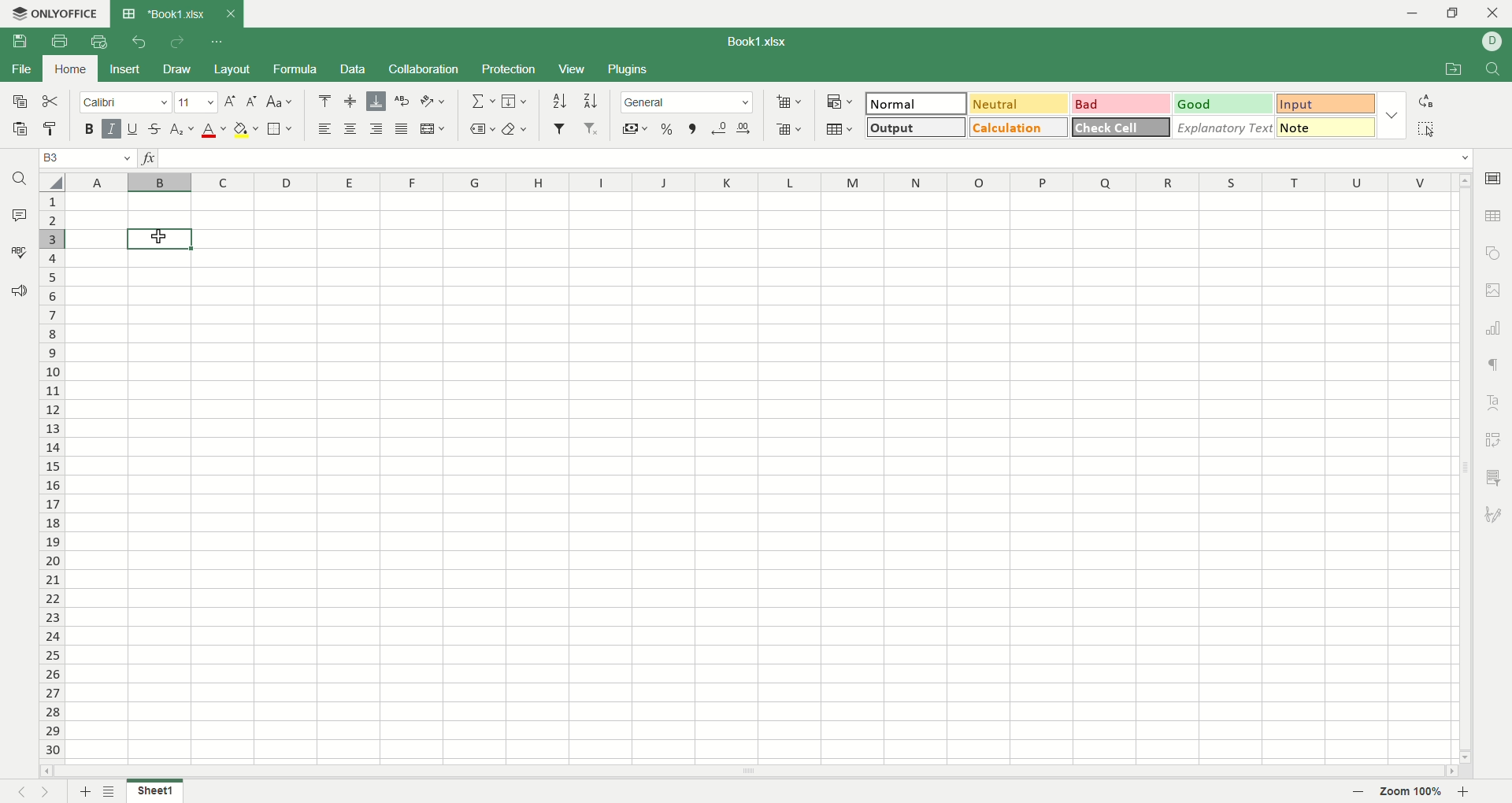 This screenshot has height=803, width=1512. What do you see at coordinates (1456, 70) in the screenshot?
I see `open file location` at bounding box center [1456, 70].